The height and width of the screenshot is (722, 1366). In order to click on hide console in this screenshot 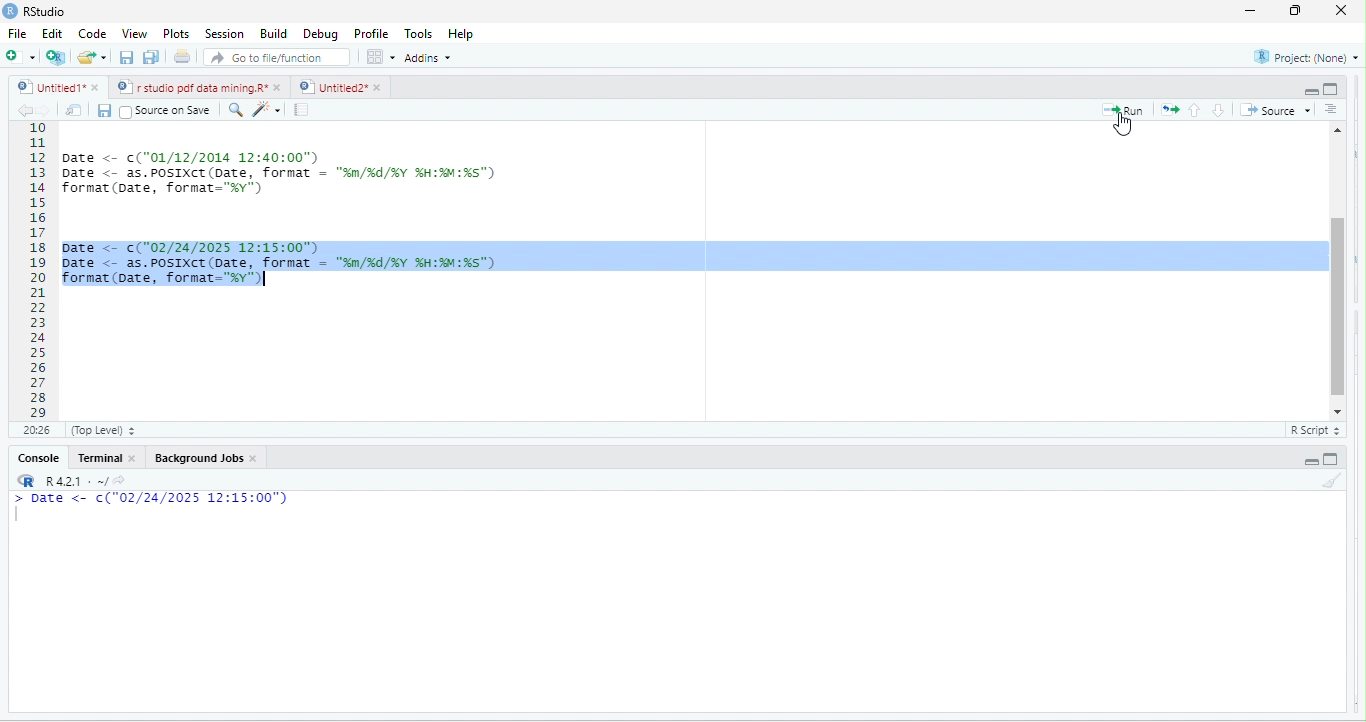, I will do `click(1334, 89)`.